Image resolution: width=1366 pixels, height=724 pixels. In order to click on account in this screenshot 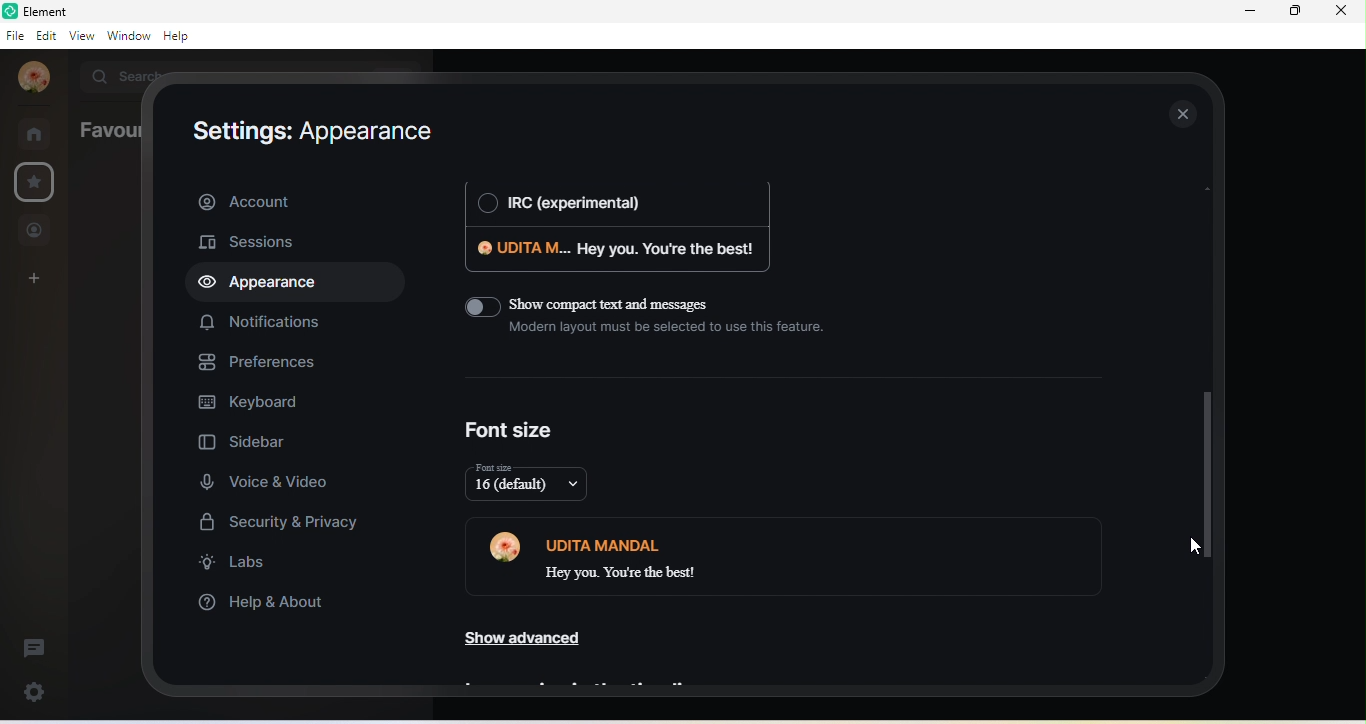, I will do `click(294, 199)`.